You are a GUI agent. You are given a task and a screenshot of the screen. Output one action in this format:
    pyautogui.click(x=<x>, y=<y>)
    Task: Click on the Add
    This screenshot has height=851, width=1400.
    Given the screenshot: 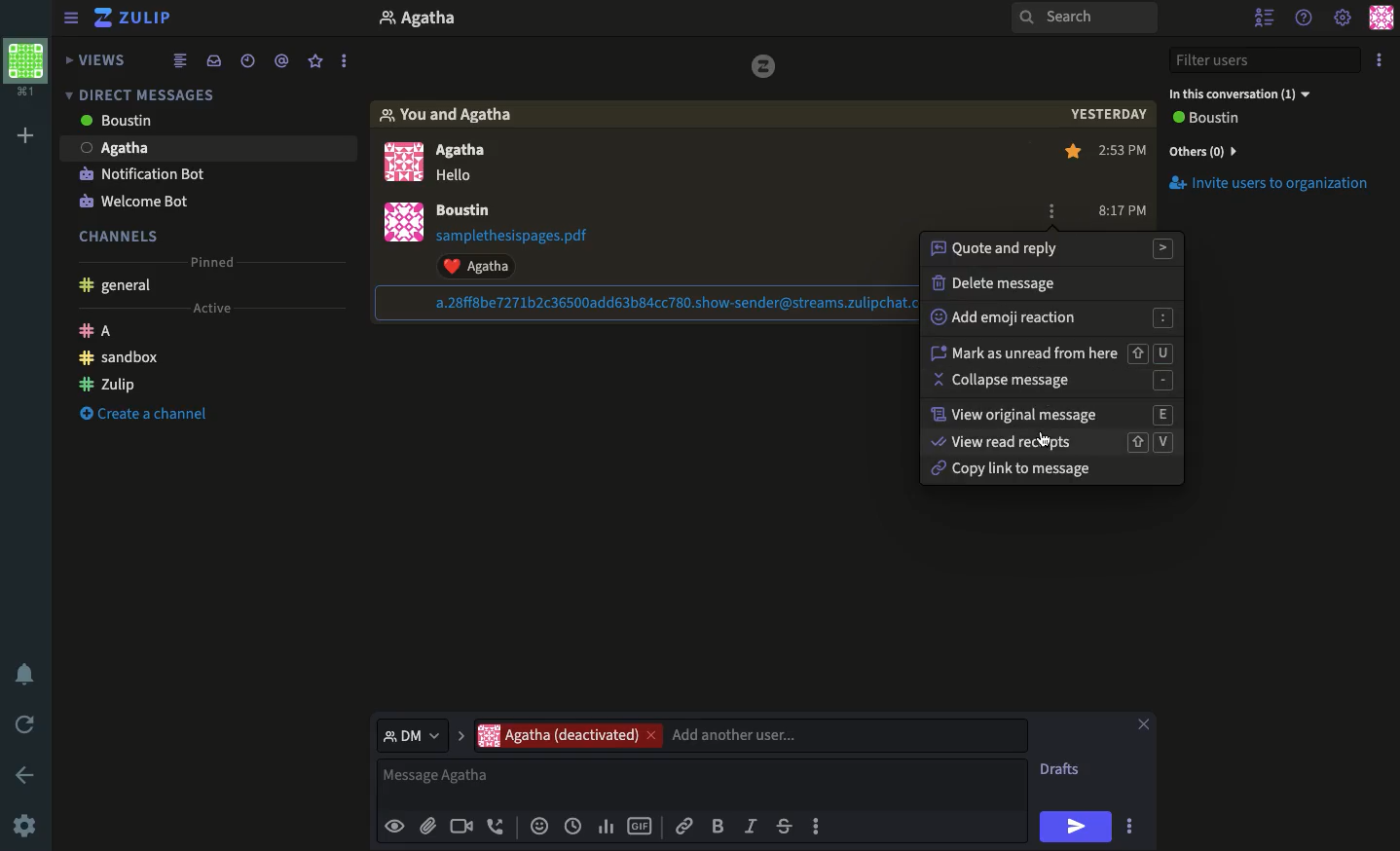 What is the action you would take?
    pyautogui.click(x=25, y=138)
    